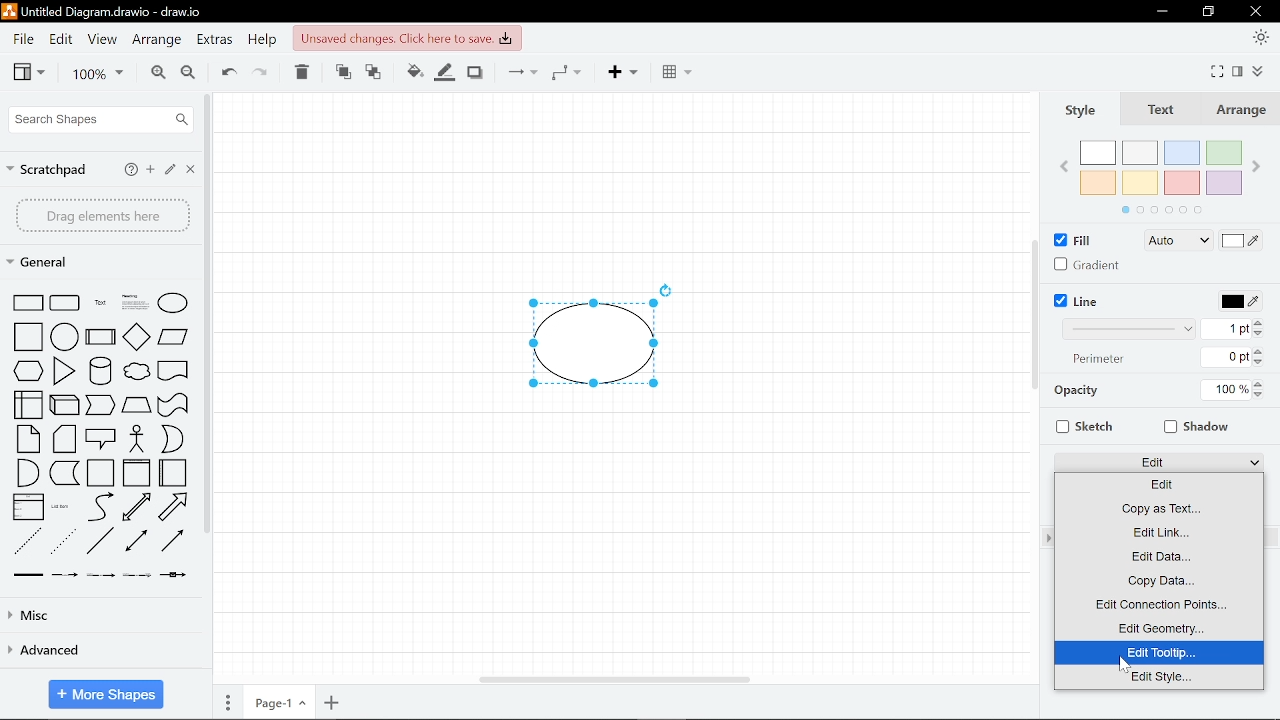 This screenshot has height=720, width=1280. I want to click on Add page, so click(334, 702).